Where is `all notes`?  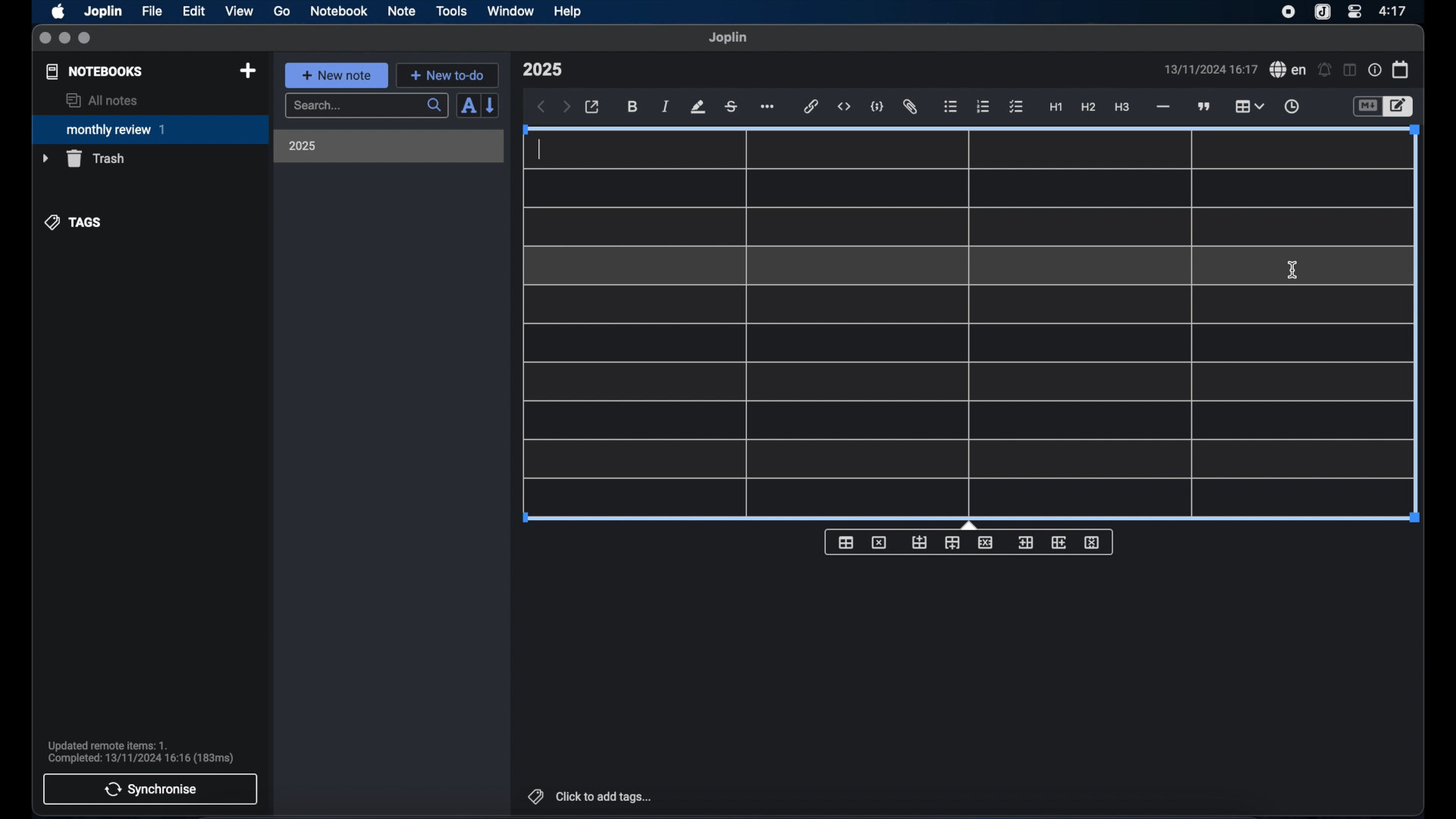
all notes is located at coordinates (102, 100).